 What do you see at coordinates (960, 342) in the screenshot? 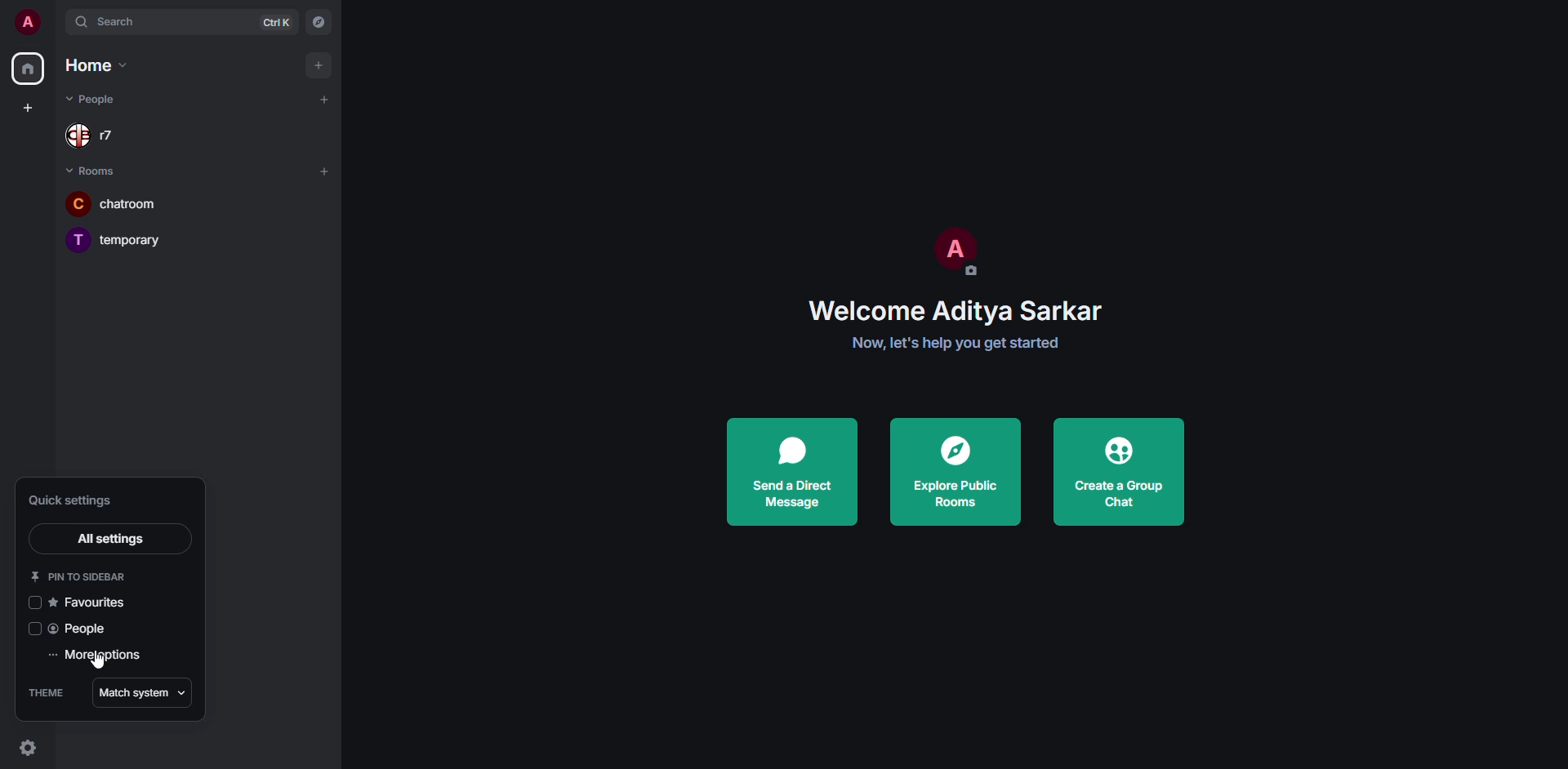
I see `get started` at bounding box center [960, 342].